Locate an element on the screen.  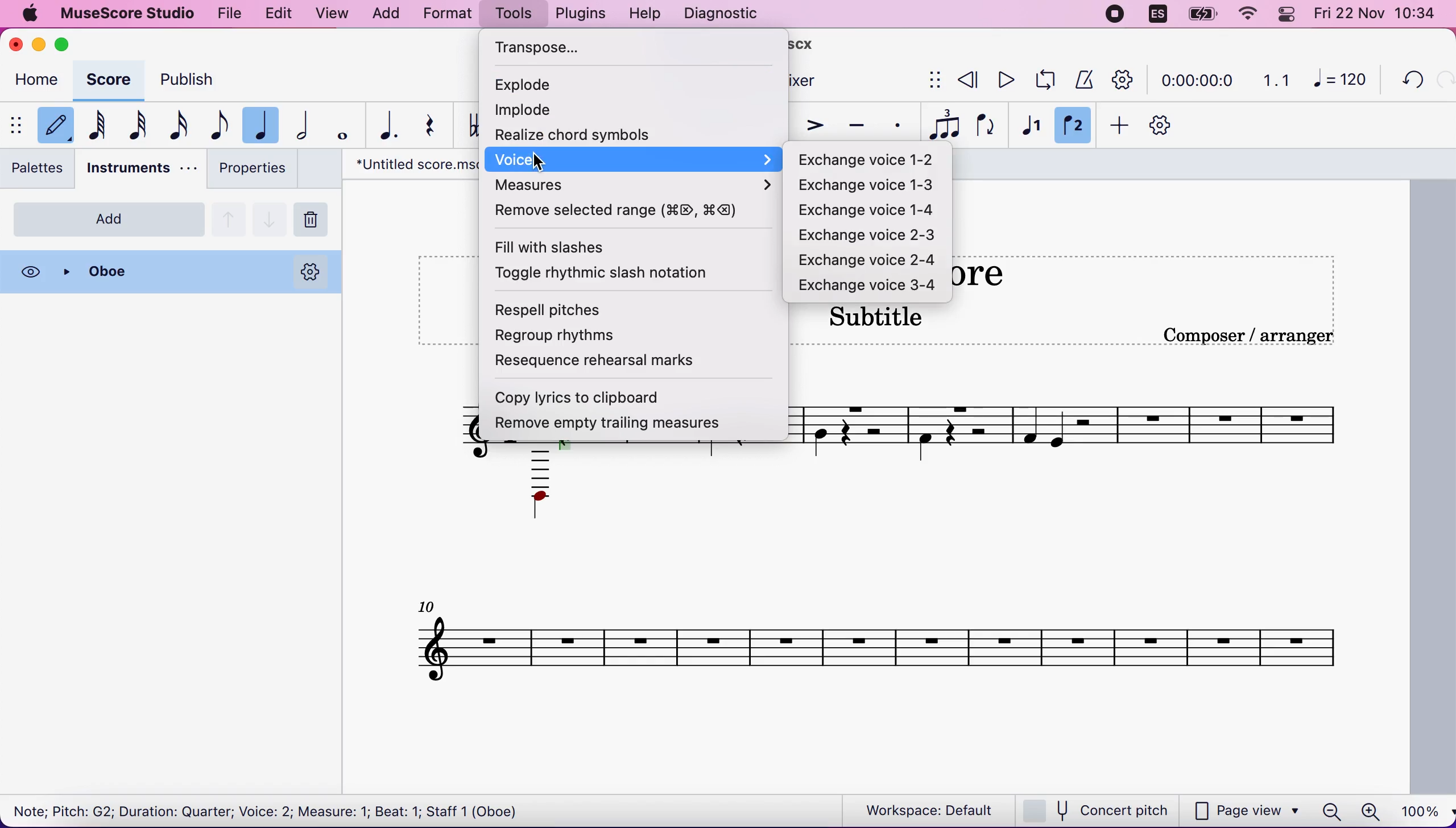
remove empty trailing measures is located at coordinates (631, 425).